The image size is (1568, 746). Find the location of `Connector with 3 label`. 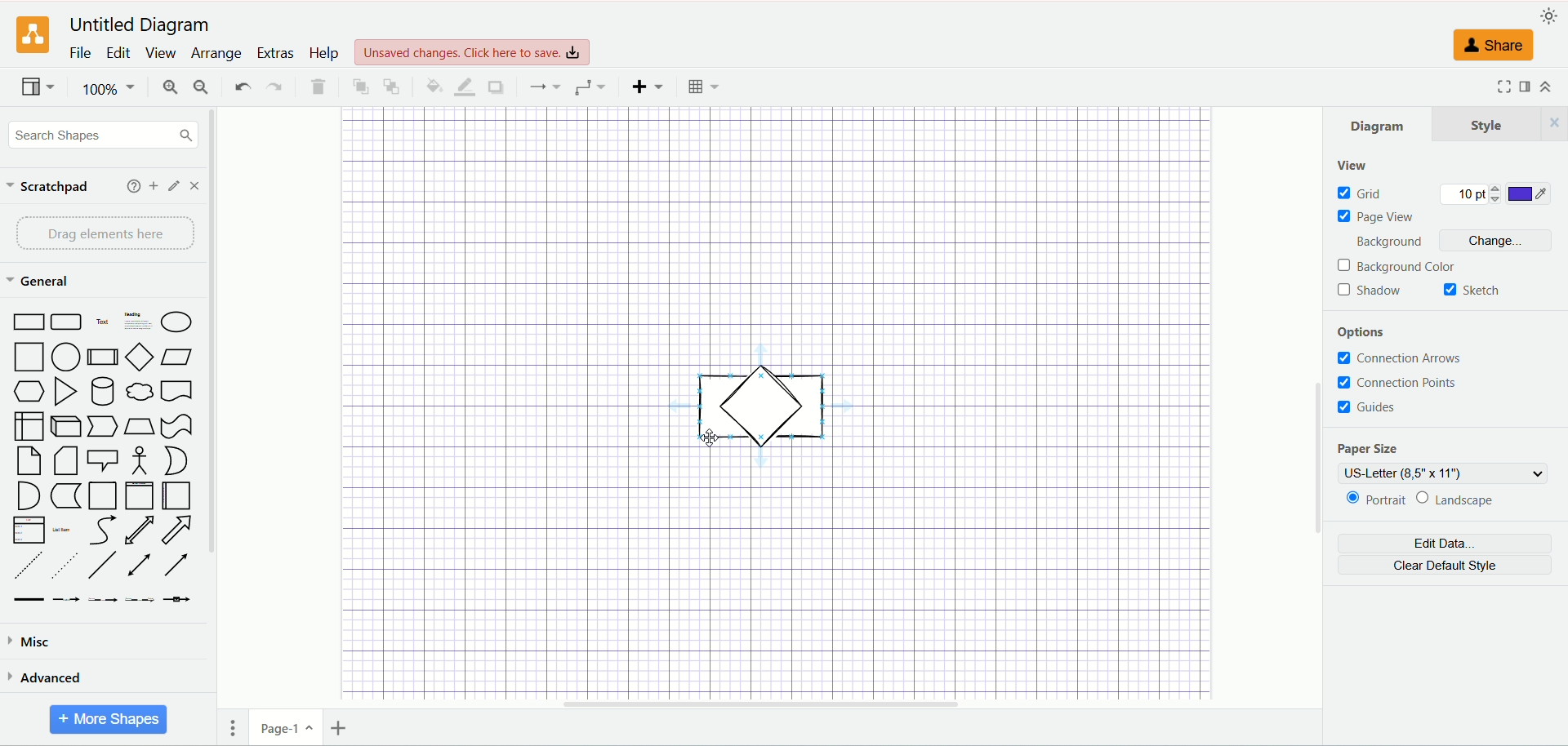

Connector with 3 label is located at coordinates (139, 601).